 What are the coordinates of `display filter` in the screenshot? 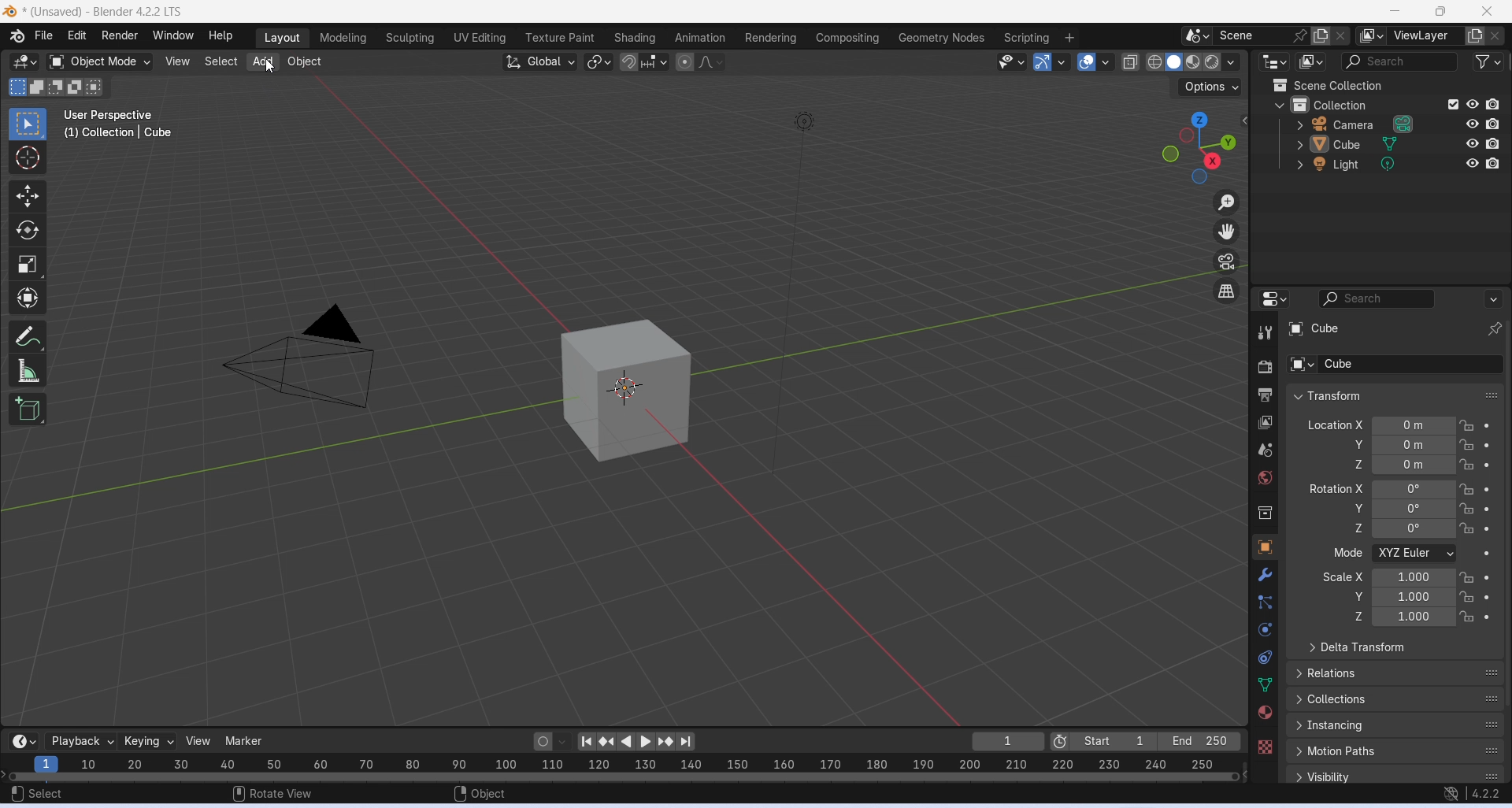 It's located at (1377, 298).